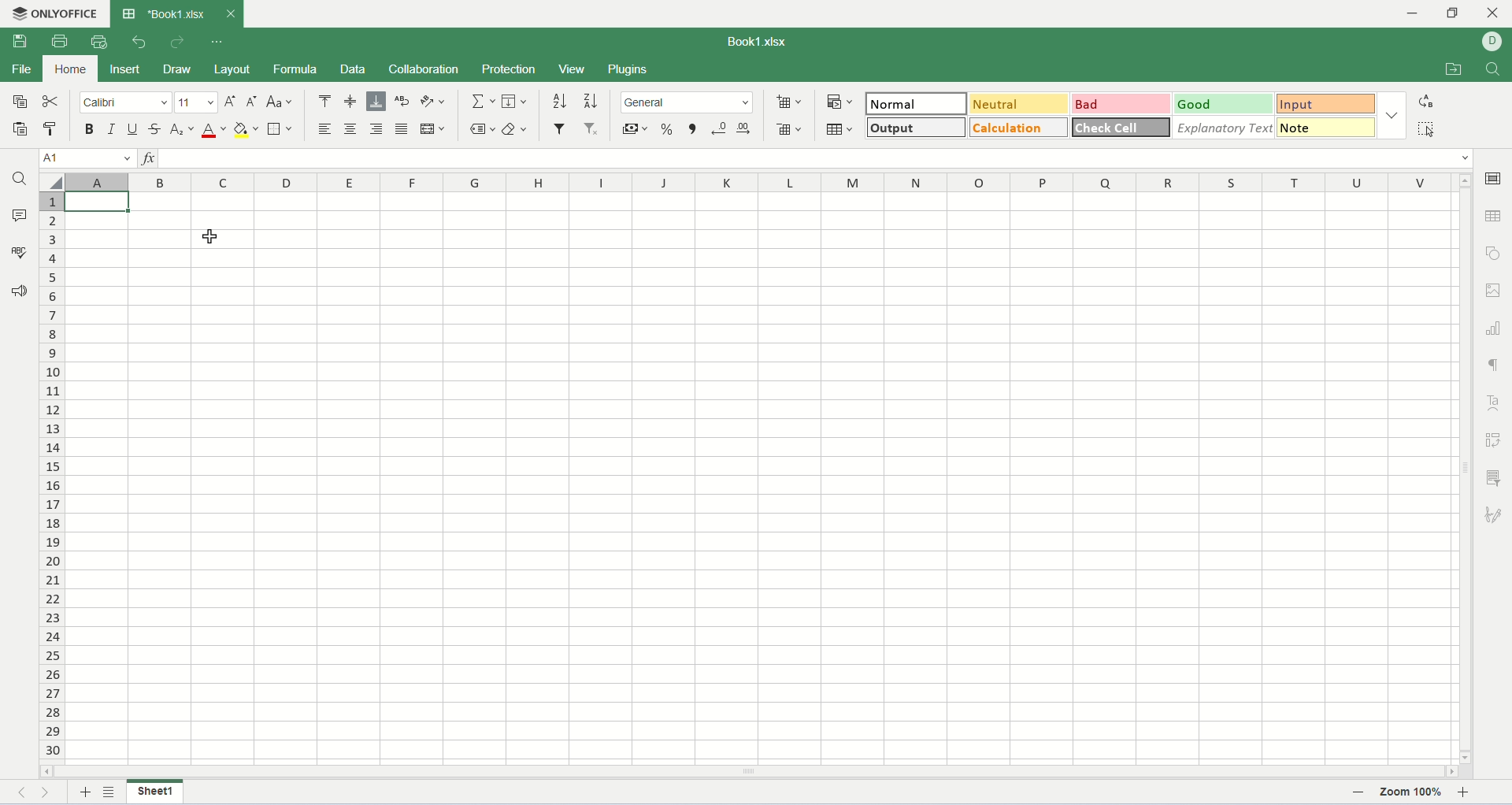 This screenshot has width=1512, height=805. I want to click on output, so click(918, 127).